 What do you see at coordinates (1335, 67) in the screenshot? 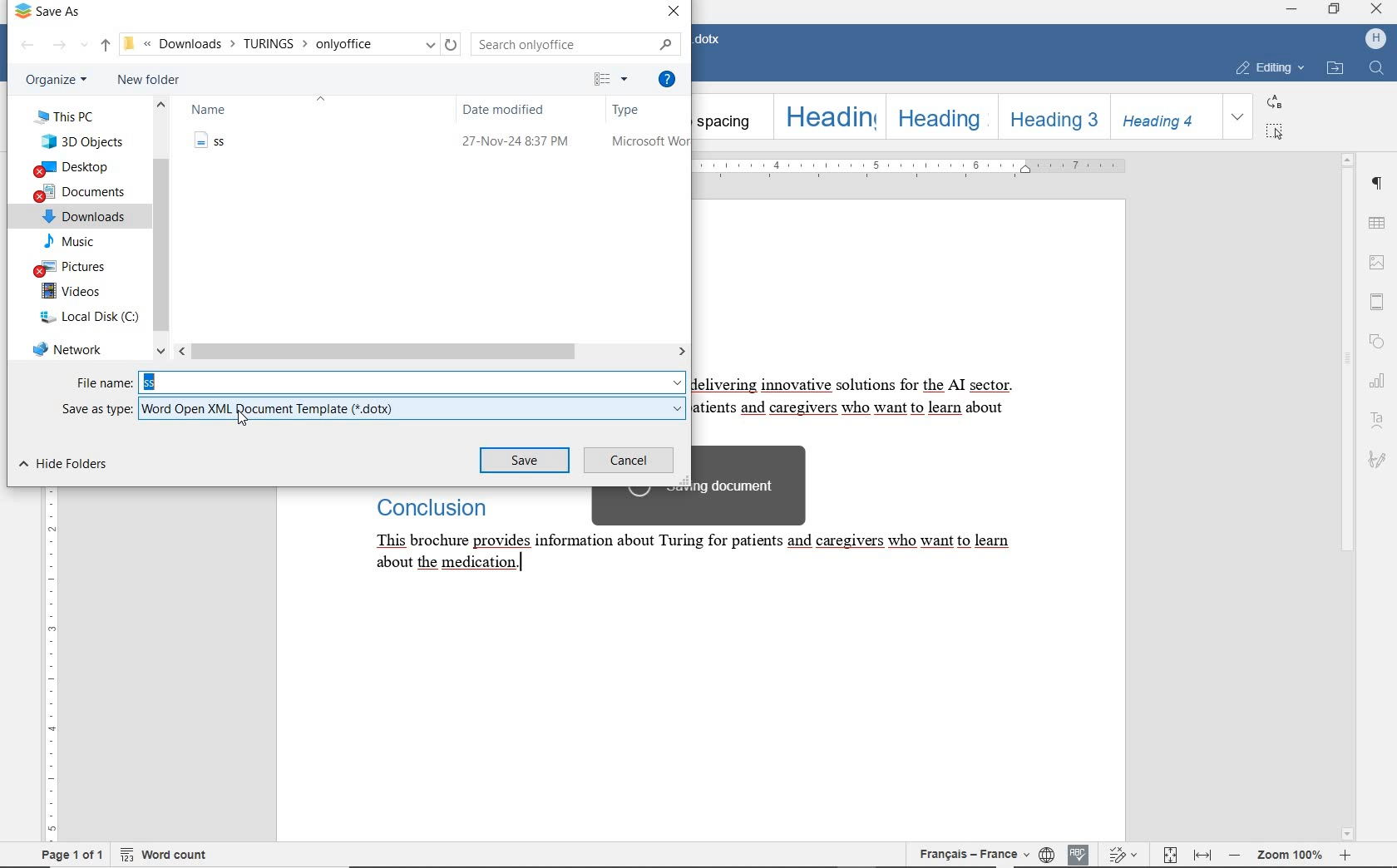
I see `OPEN FILE LOCATION` at bounding box center [1335, 67].